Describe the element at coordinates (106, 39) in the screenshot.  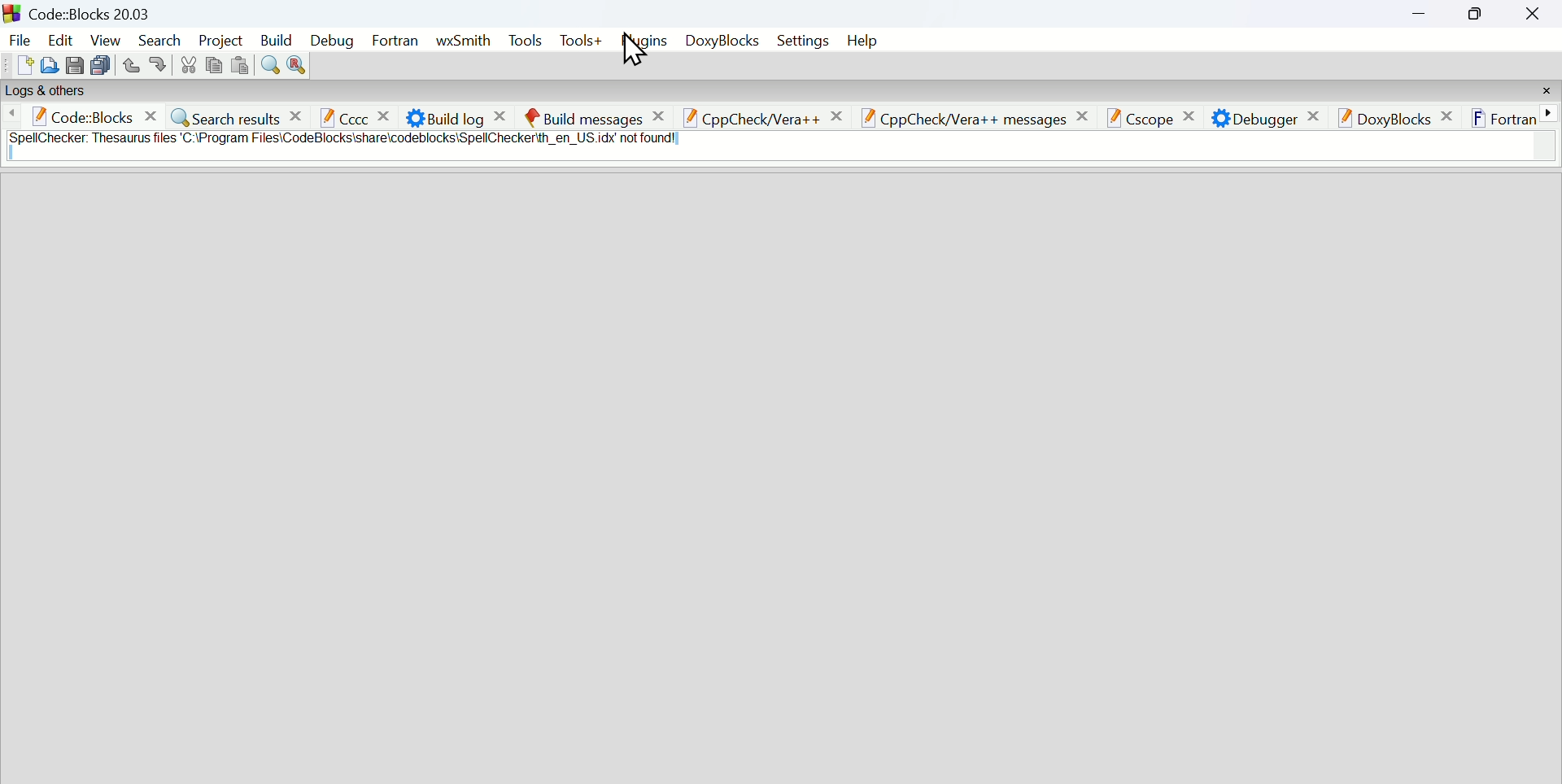
I see `View` at that location.